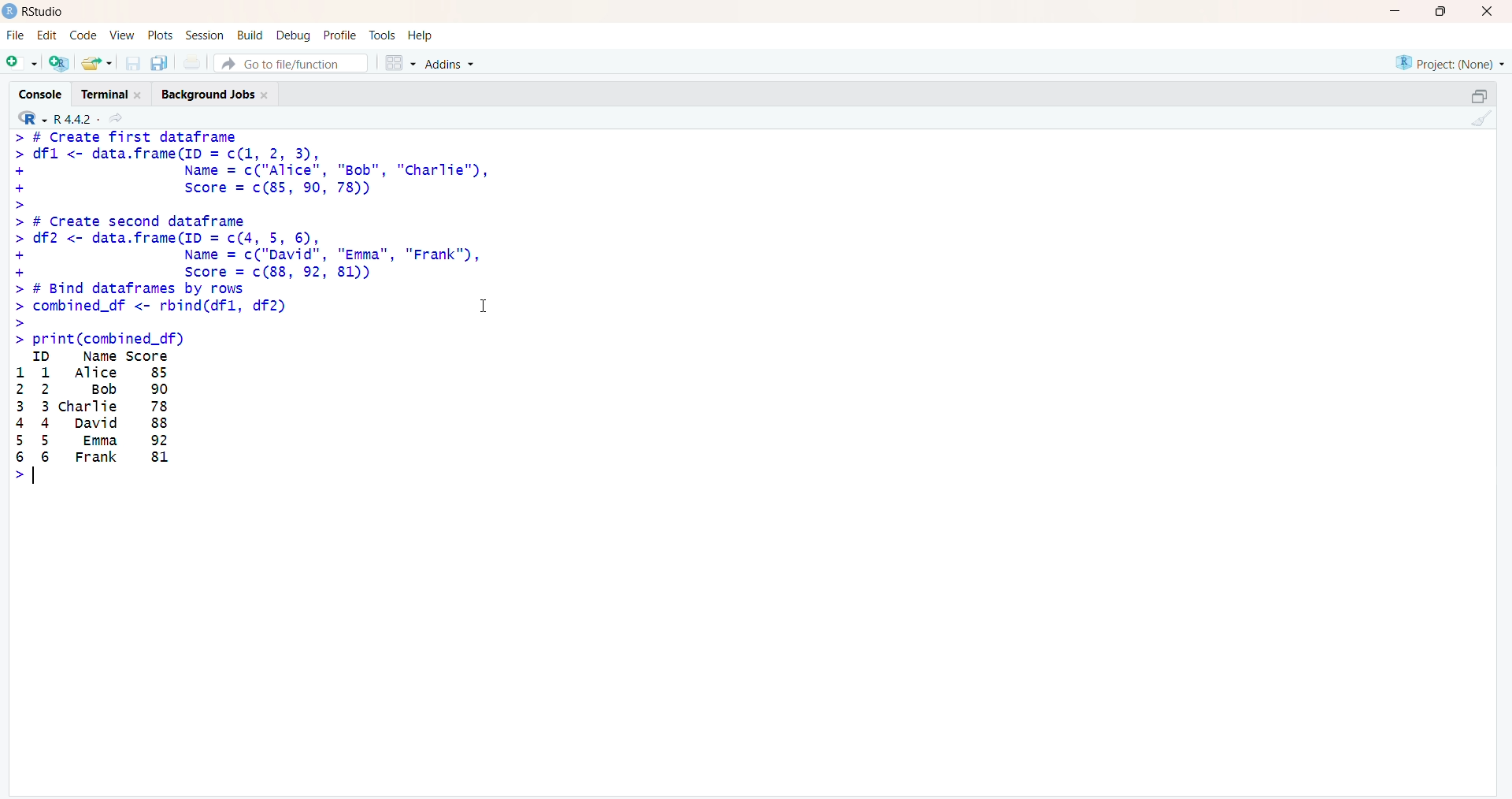 The image size is (1512, 799). I want to click on ID Name Score 1 1 Alice 85 2 2 Bob 920 3 3 charlie 78 4 4 David 88 5 5 Emma 92 6 6 Frank 81, so click(93, 419).